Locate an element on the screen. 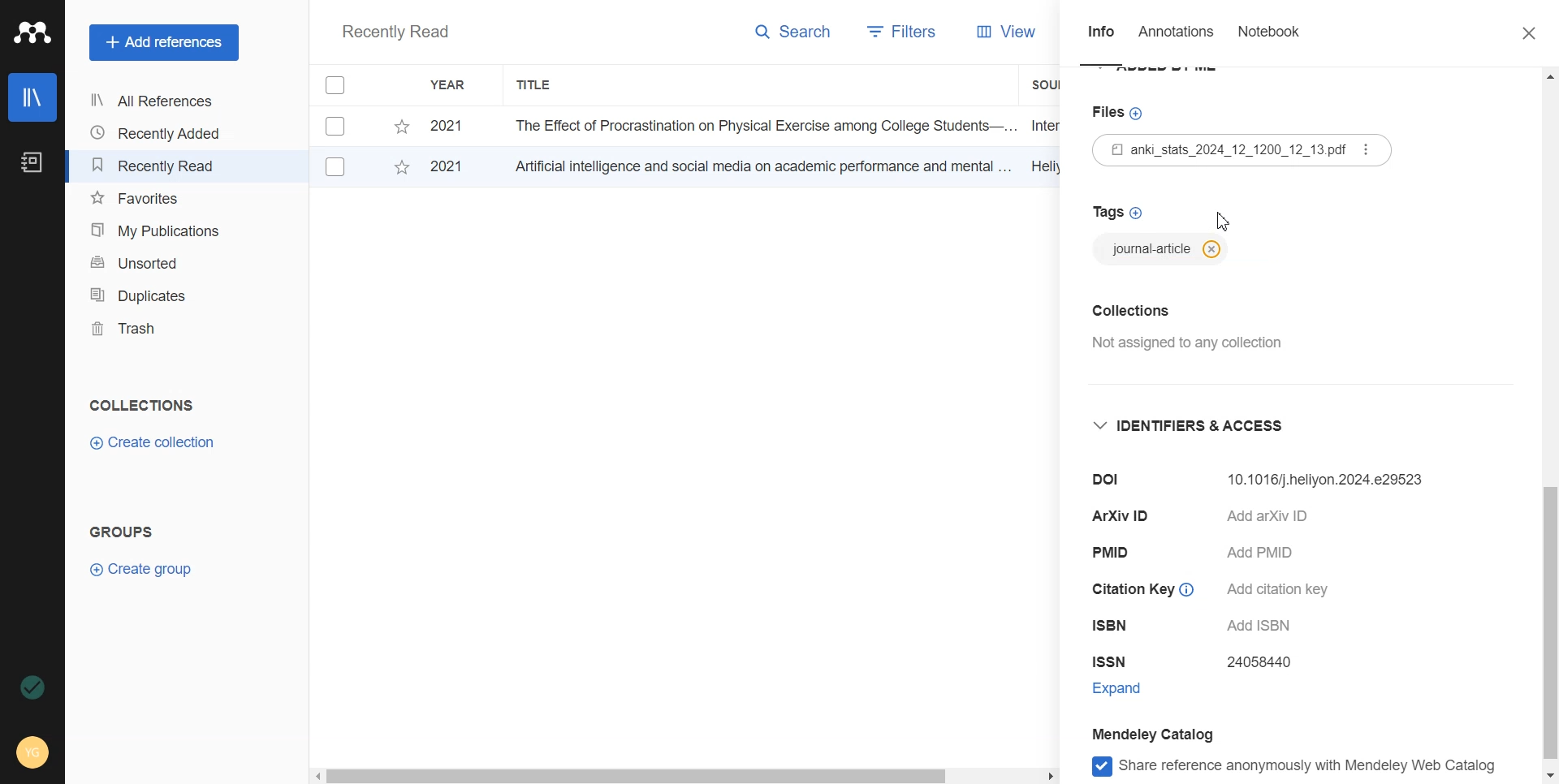 Image resolution: width=1559 pixels, height=784 pixels. journal-article is located at coordinates (1165, 254).